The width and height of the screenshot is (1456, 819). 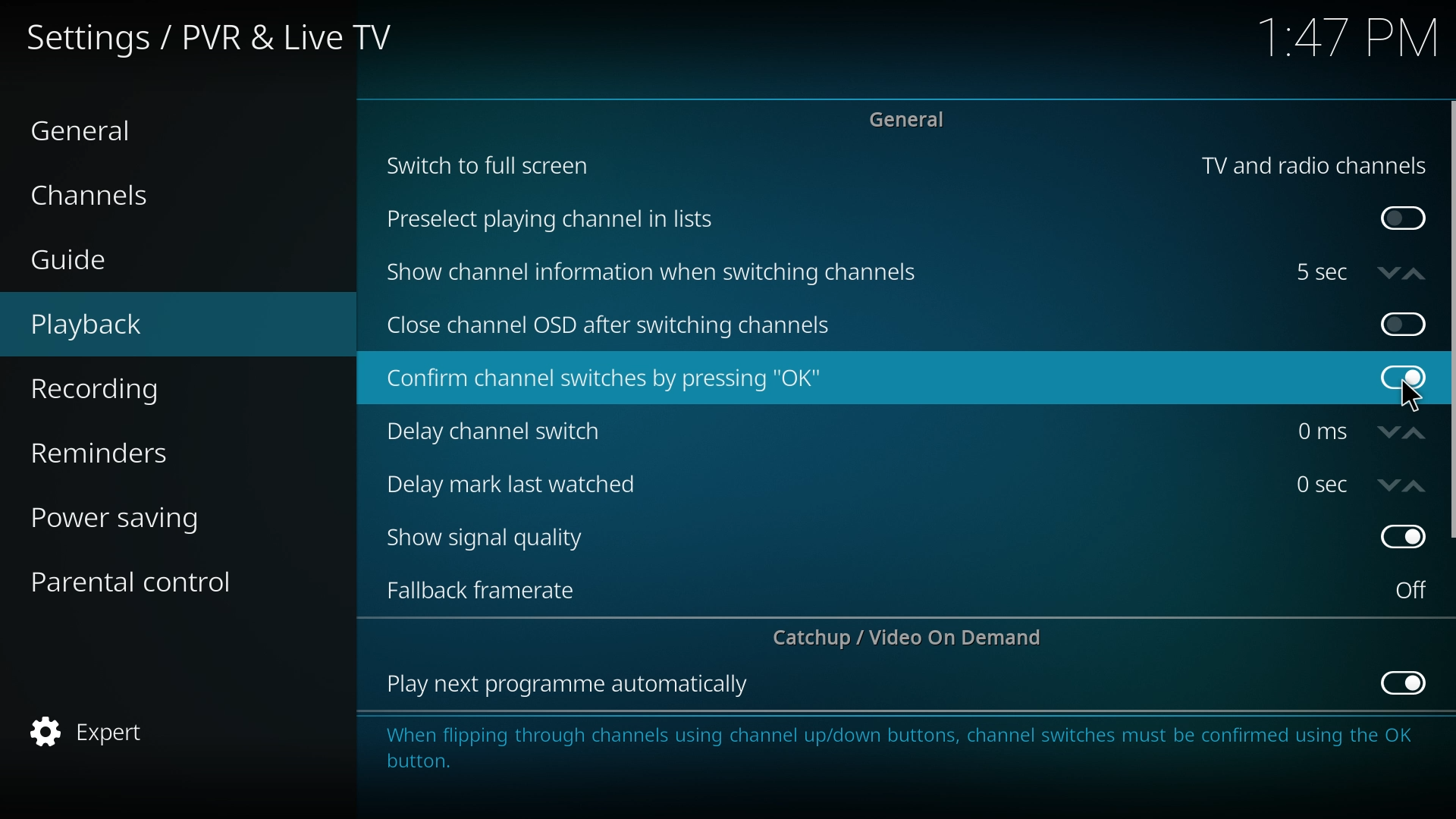 What do you see at coordinates (1402, 324) in the screenshot?
I see `off` at bounding box center [1402, 324].